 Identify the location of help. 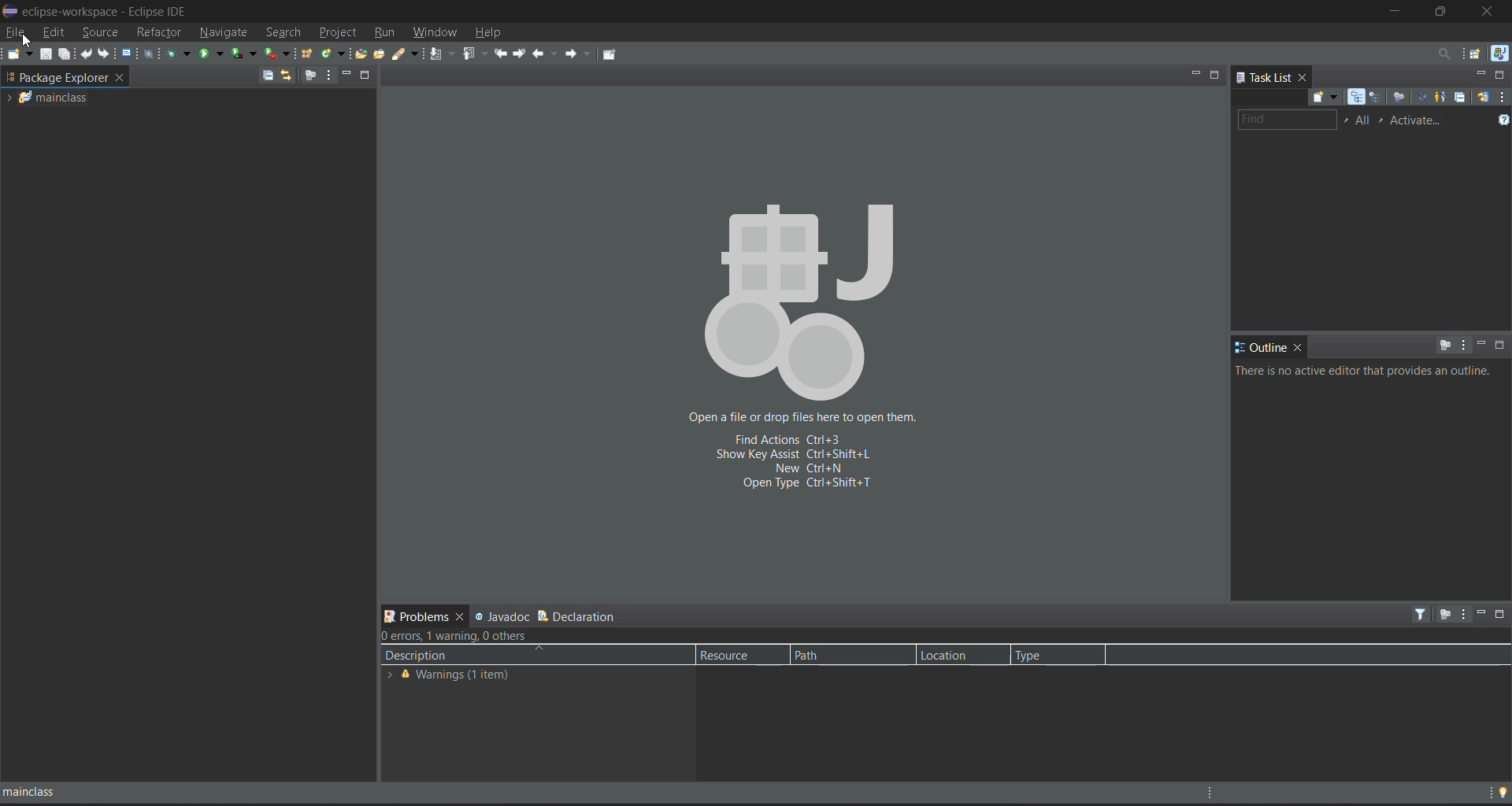
(487, 35).